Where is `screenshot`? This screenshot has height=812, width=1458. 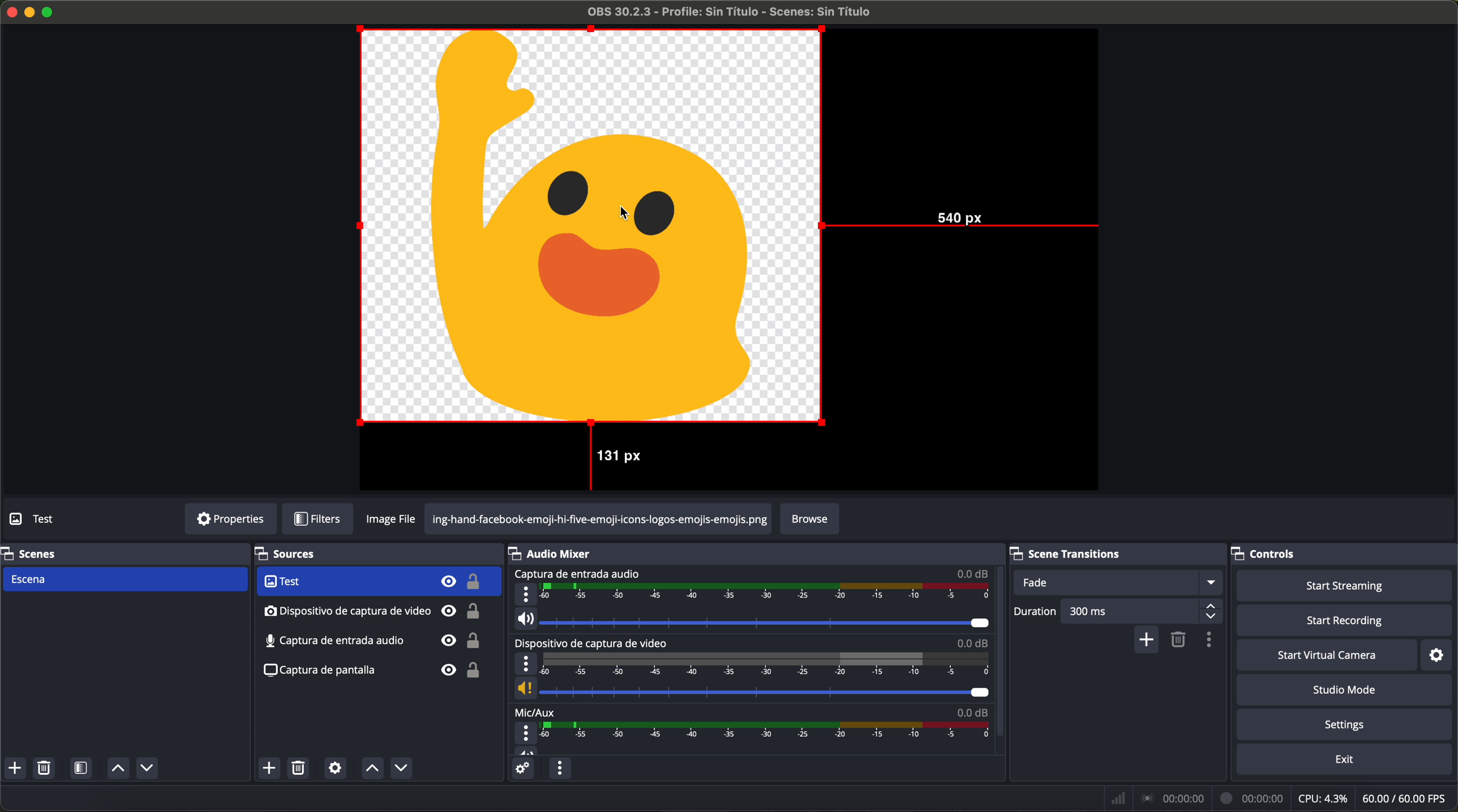 screenshot is located at coordinates (371, 675).